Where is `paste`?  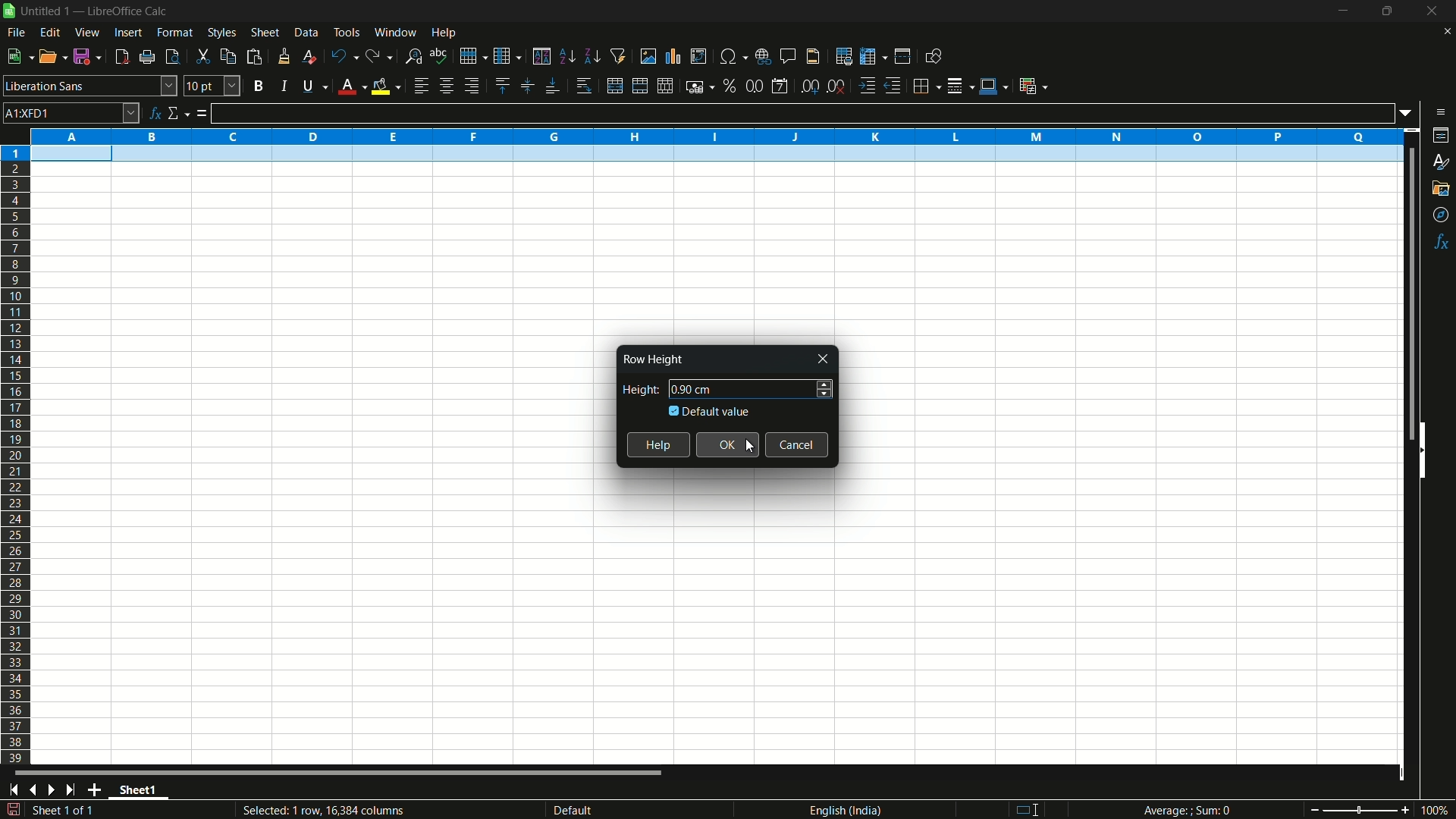 paste is located at coordinates (254, 57).